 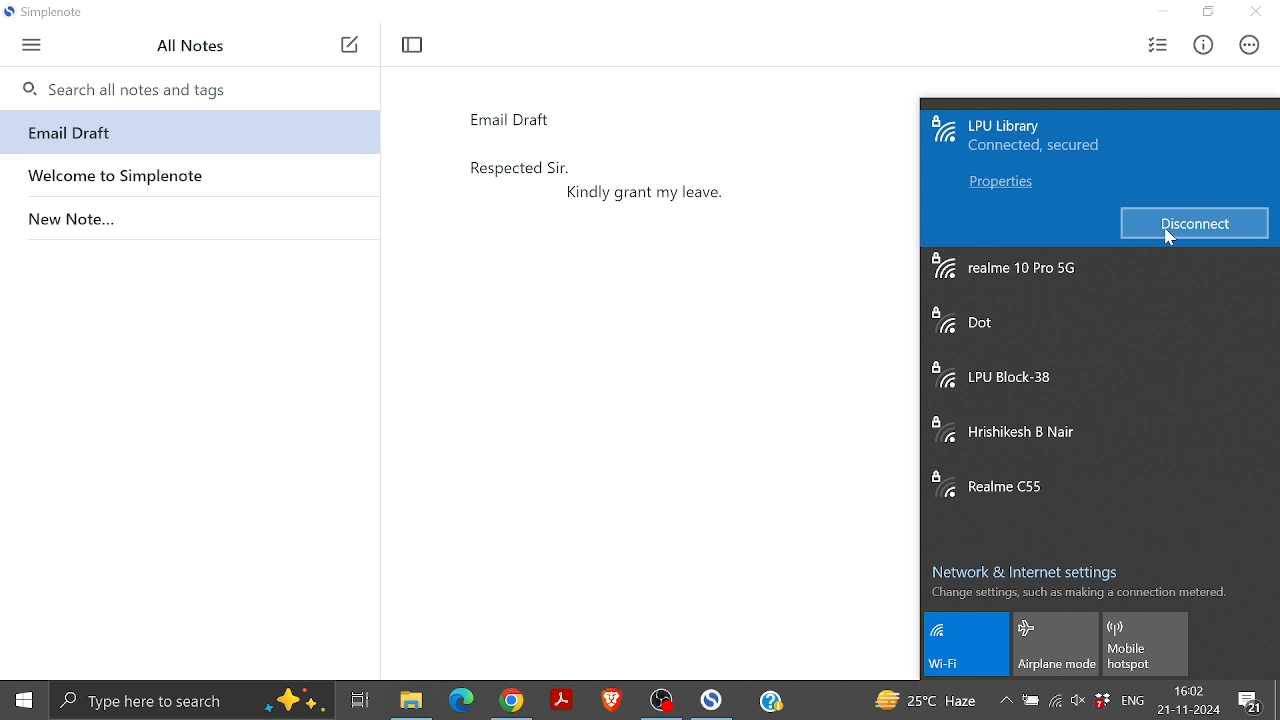 What do you see at coordinates (188, 86) in the screenshot?
I see `Search all notes and tags` at bounding box center [188, 86].